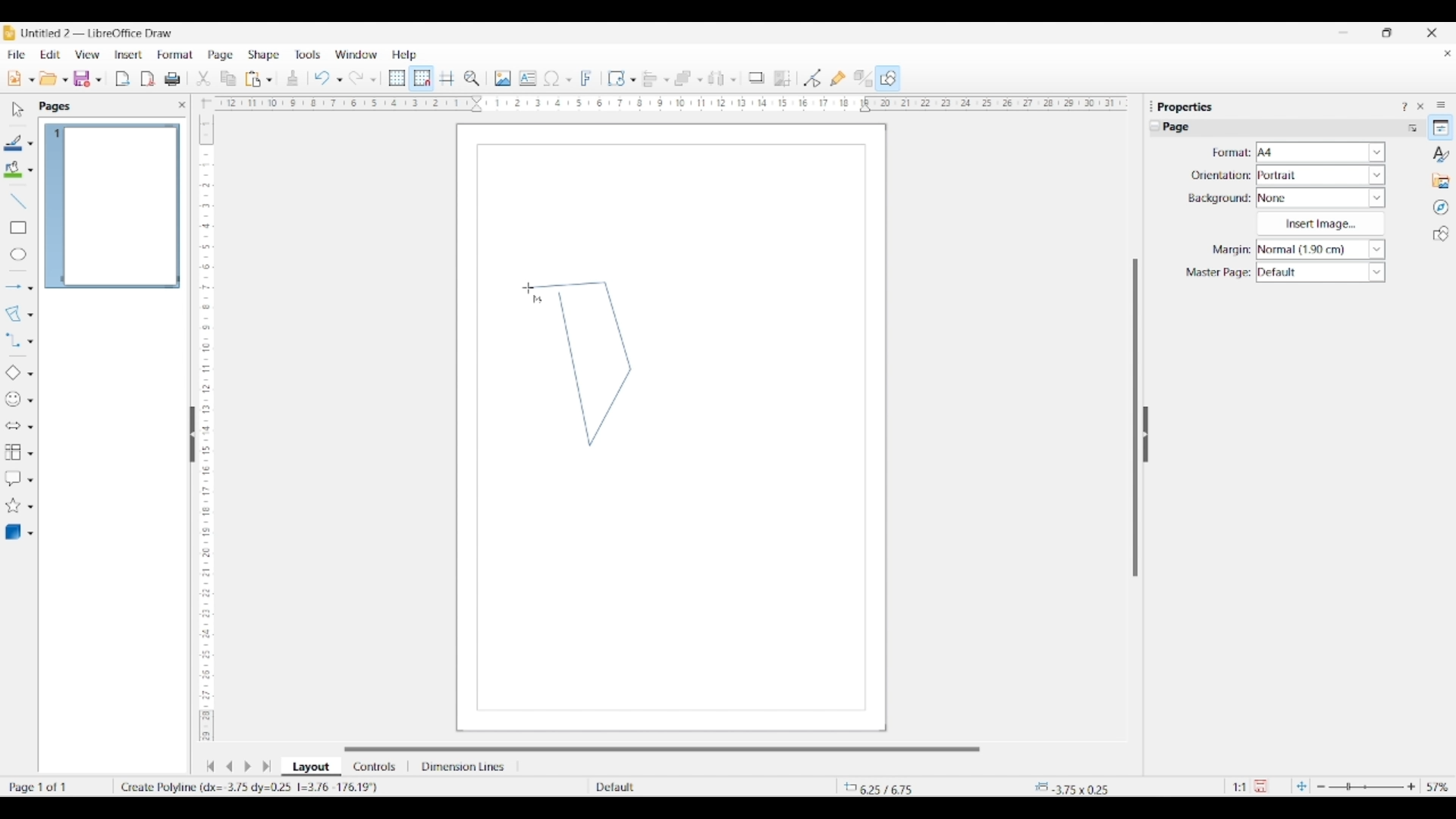  I want to click on Selected flowchart, so click(13, 453).